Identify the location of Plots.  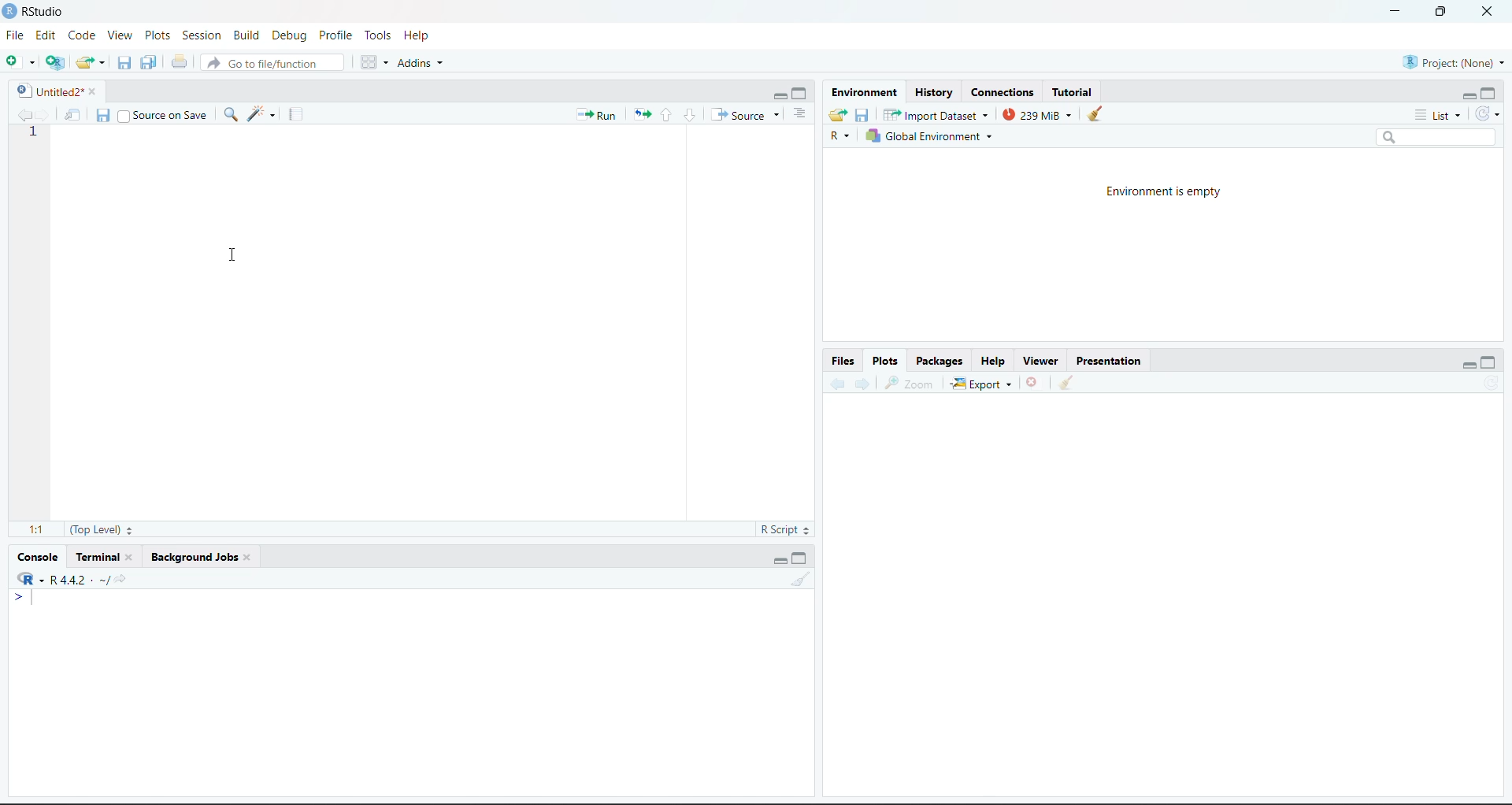
(158, 34).